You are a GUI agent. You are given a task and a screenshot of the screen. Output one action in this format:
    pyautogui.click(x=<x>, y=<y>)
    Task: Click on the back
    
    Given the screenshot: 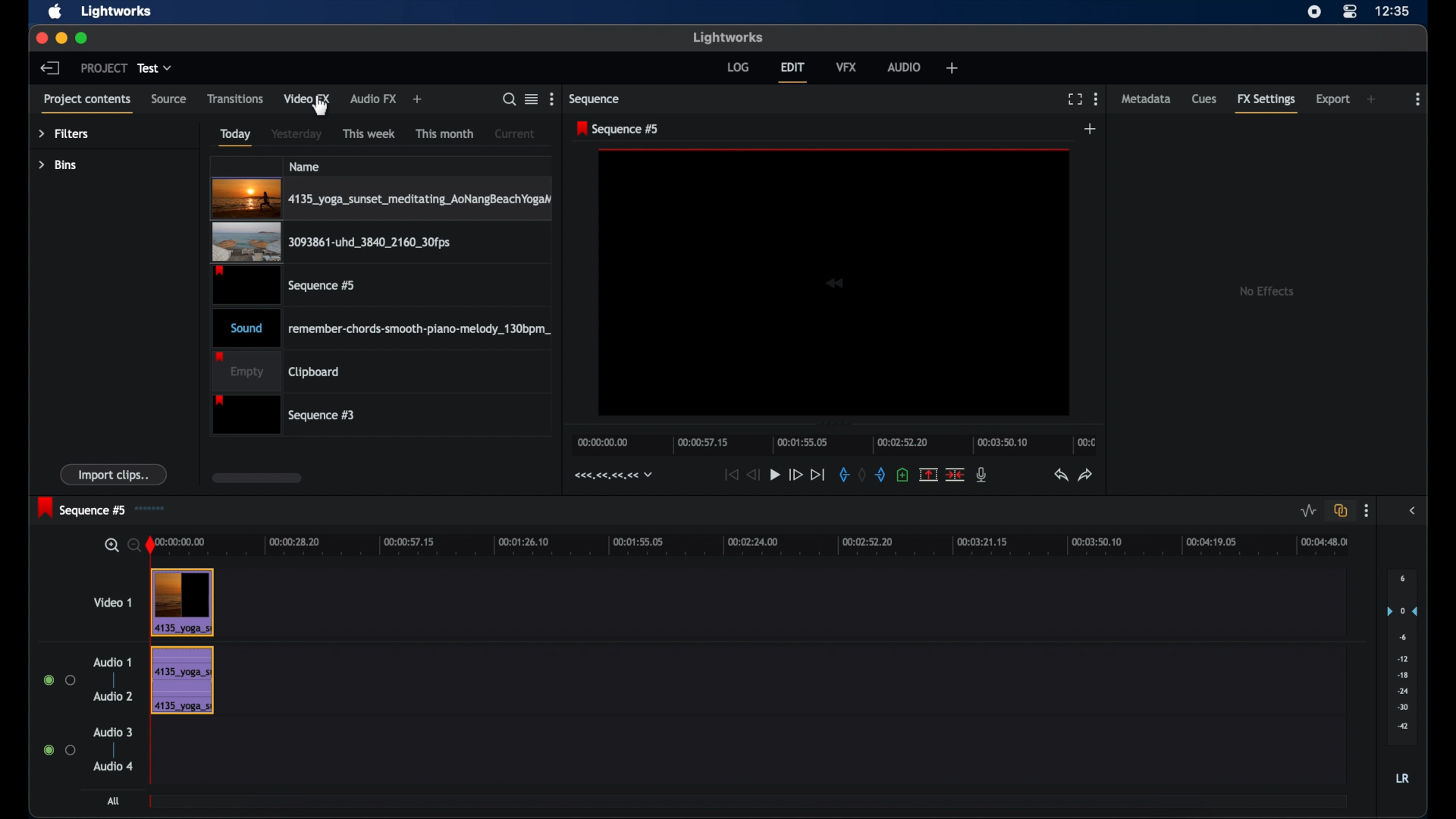 What is the action you would take?
    pyautogui.click(x=51, y=68)
    